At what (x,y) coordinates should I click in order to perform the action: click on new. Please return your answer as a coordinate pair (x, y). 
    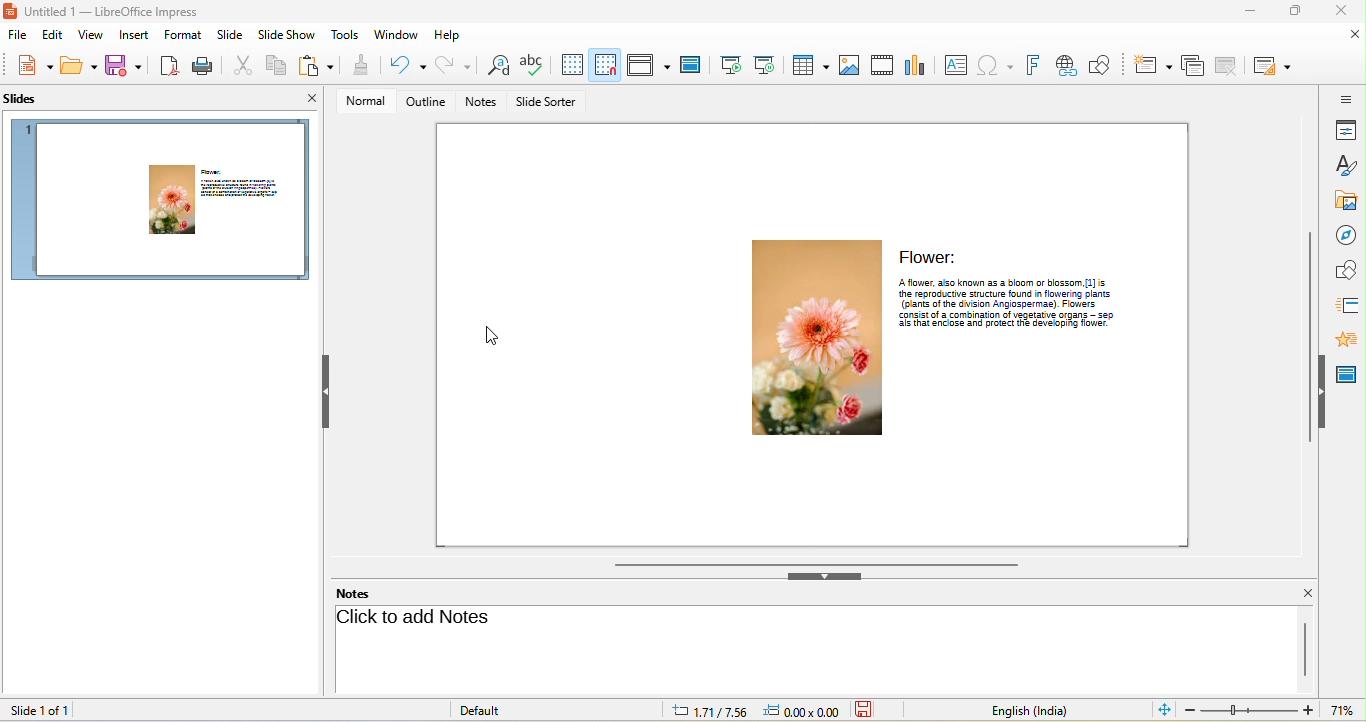
    Looking at the image, I should click on (31, 68).